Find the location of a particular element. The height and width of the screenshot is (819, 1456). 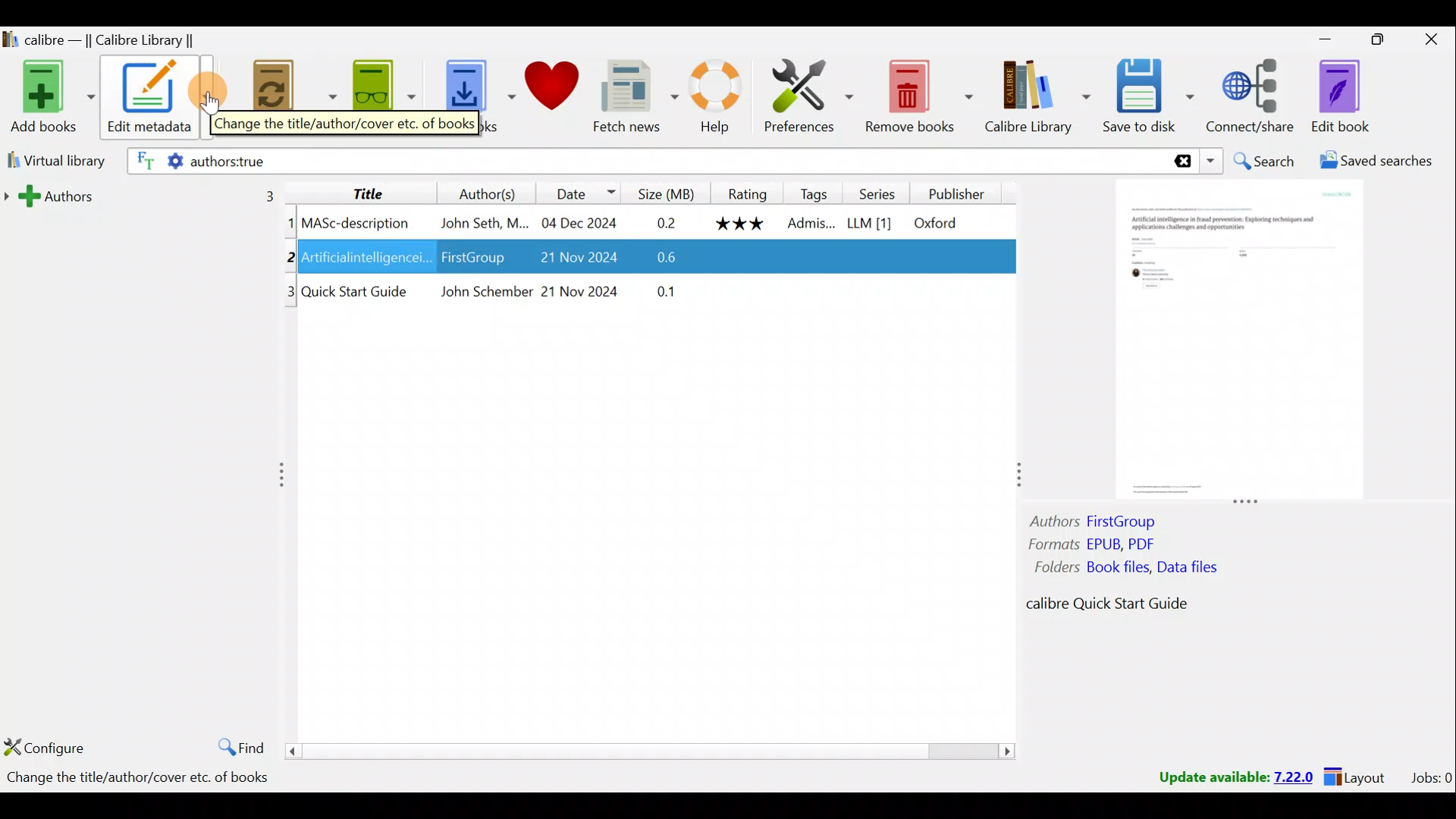

View is located at coordinates (372, 83).